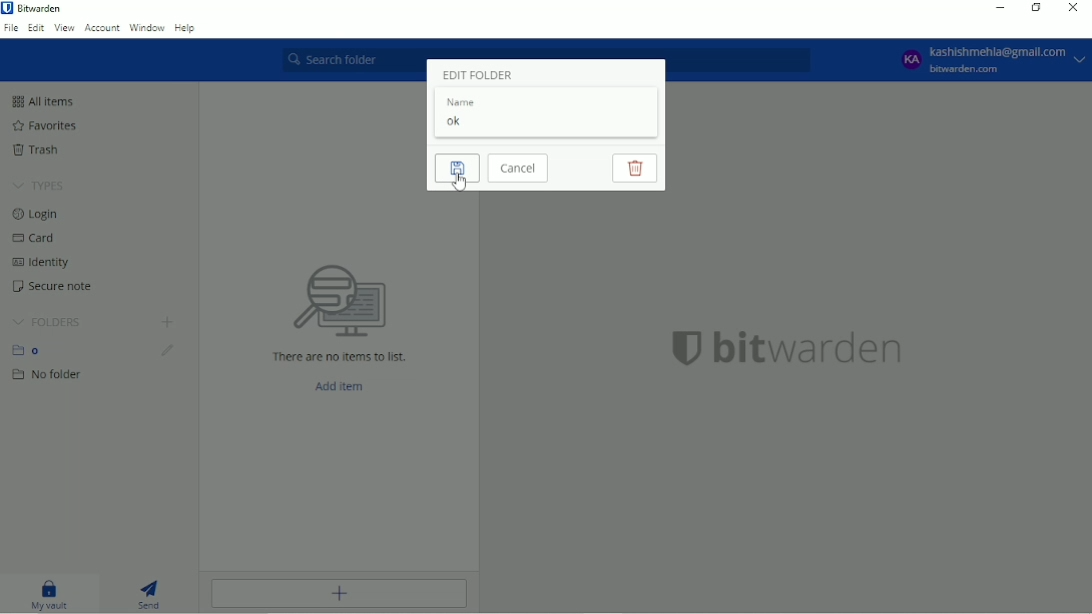 The image size is (1092, 614). I want to click on There are no items to list., so click(340, 357).